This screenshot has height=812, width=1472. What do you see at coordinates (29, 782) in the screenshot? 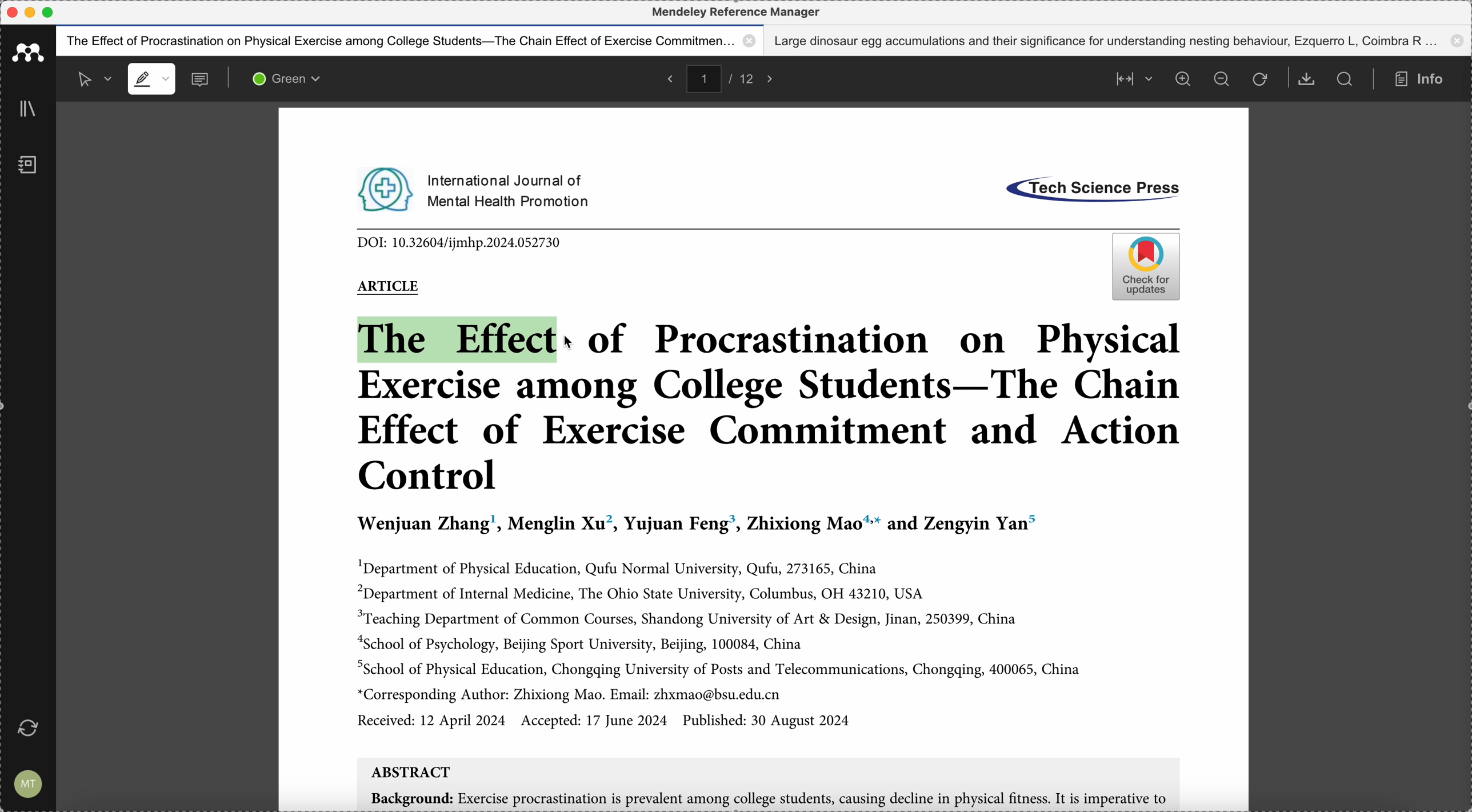
I see `account settings` at bounding box center [29, 782].